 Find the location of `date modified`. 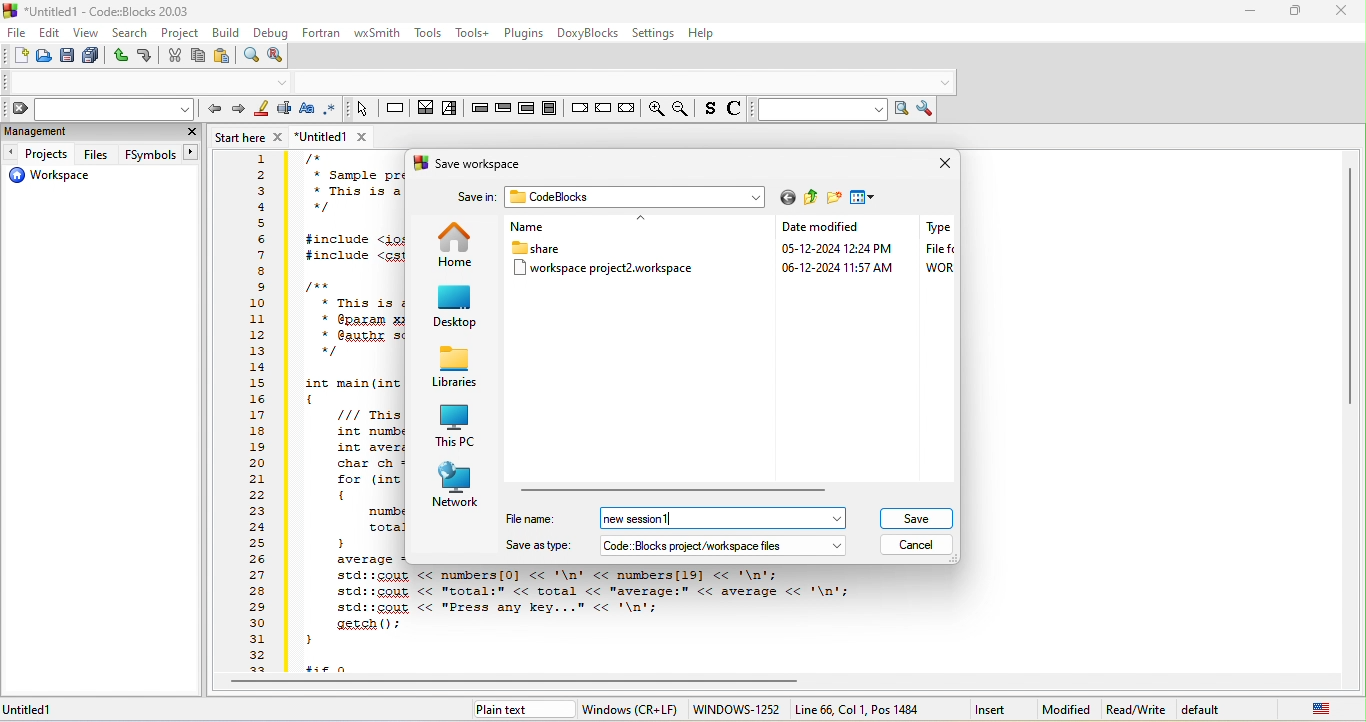

date modified is located at coordinates (824, 247).